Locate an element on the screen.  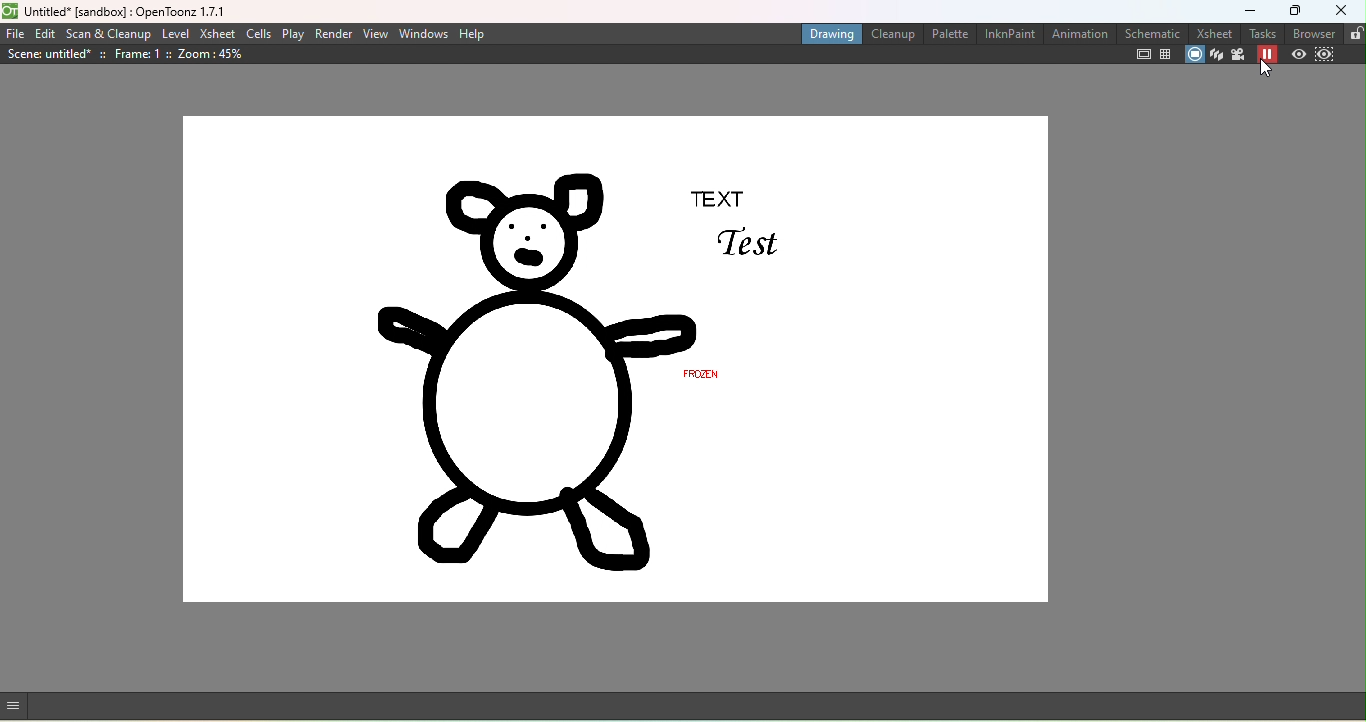
Field guide is located at coordinates (1166, 55).